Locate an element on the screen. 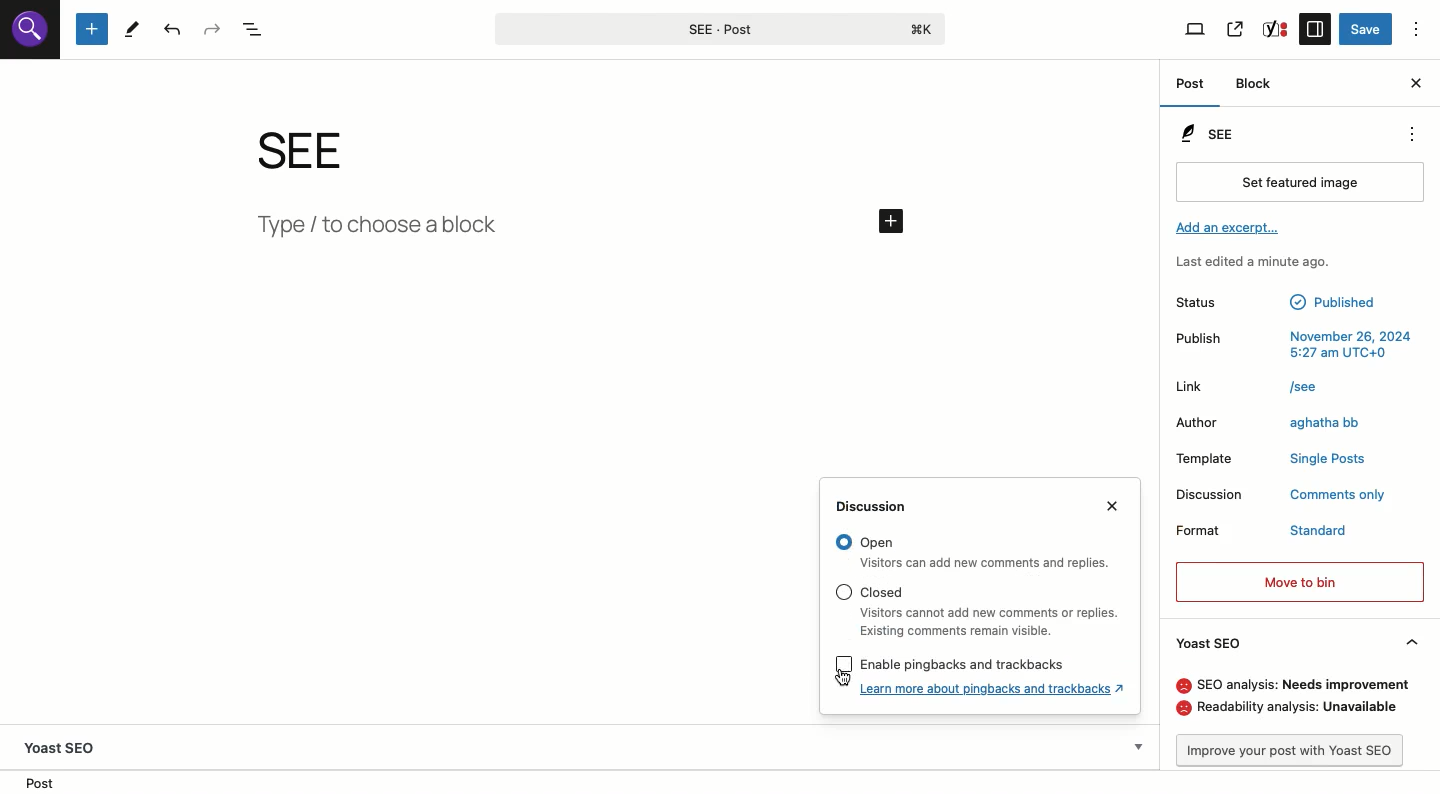 This screenshot has height=794, width=1440. Status published is located at coordinates (1282, 302).